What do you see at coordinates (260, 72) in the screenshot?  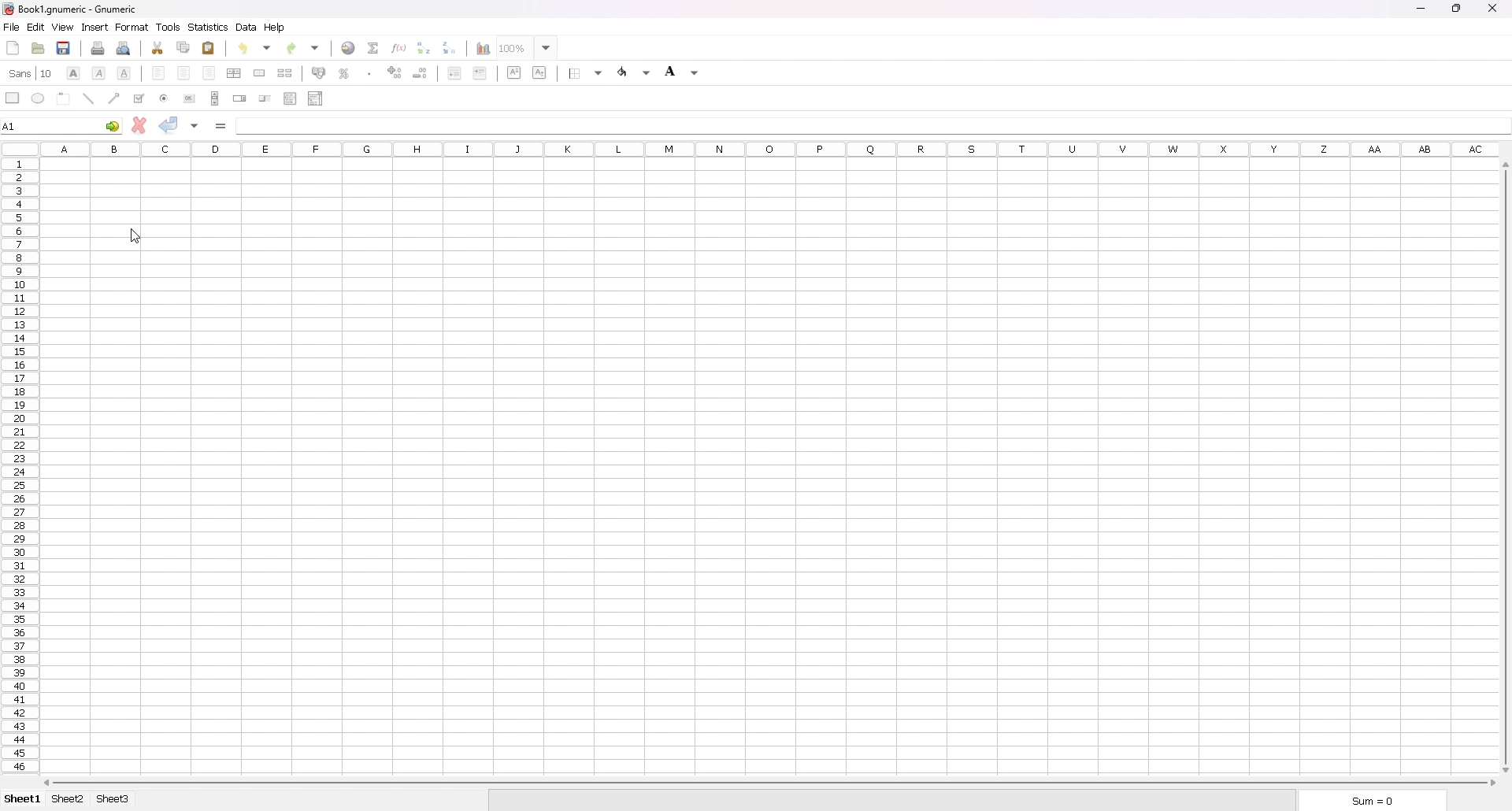 I see `merge cells` at bounding box center [260, 72].